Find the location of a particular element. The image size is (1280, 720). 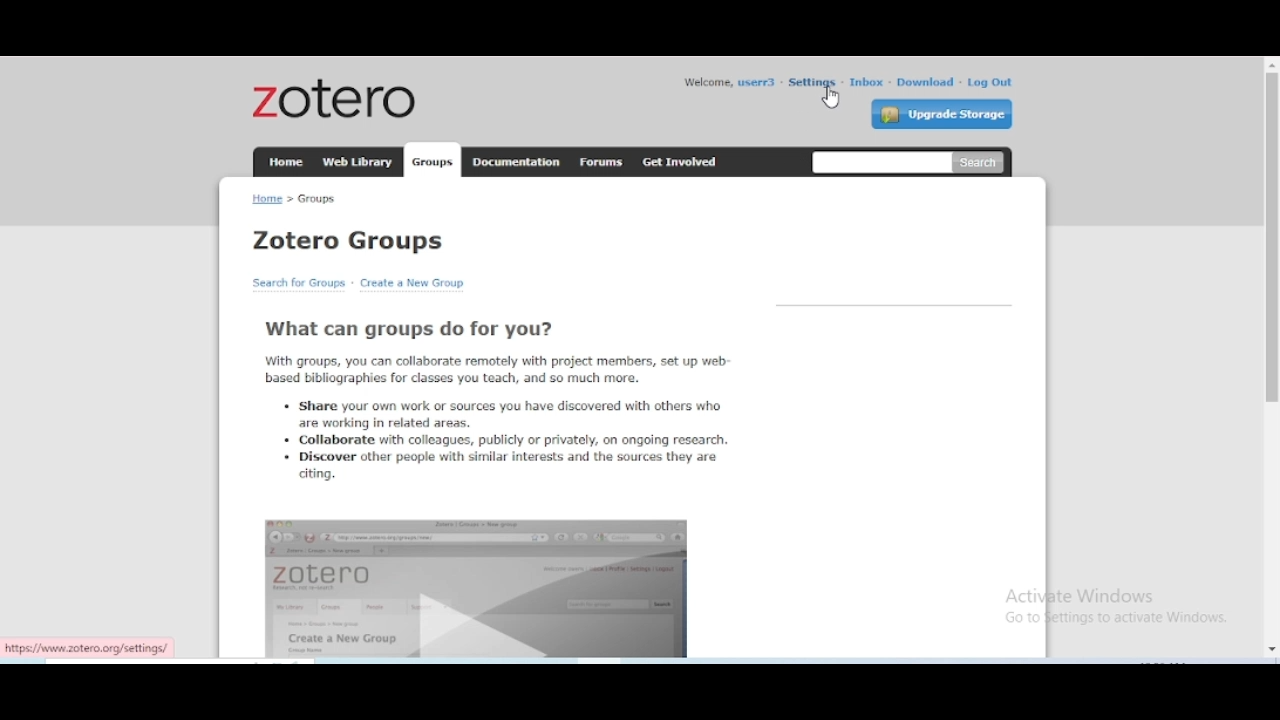

documentation is located at coordinates (516, 161).